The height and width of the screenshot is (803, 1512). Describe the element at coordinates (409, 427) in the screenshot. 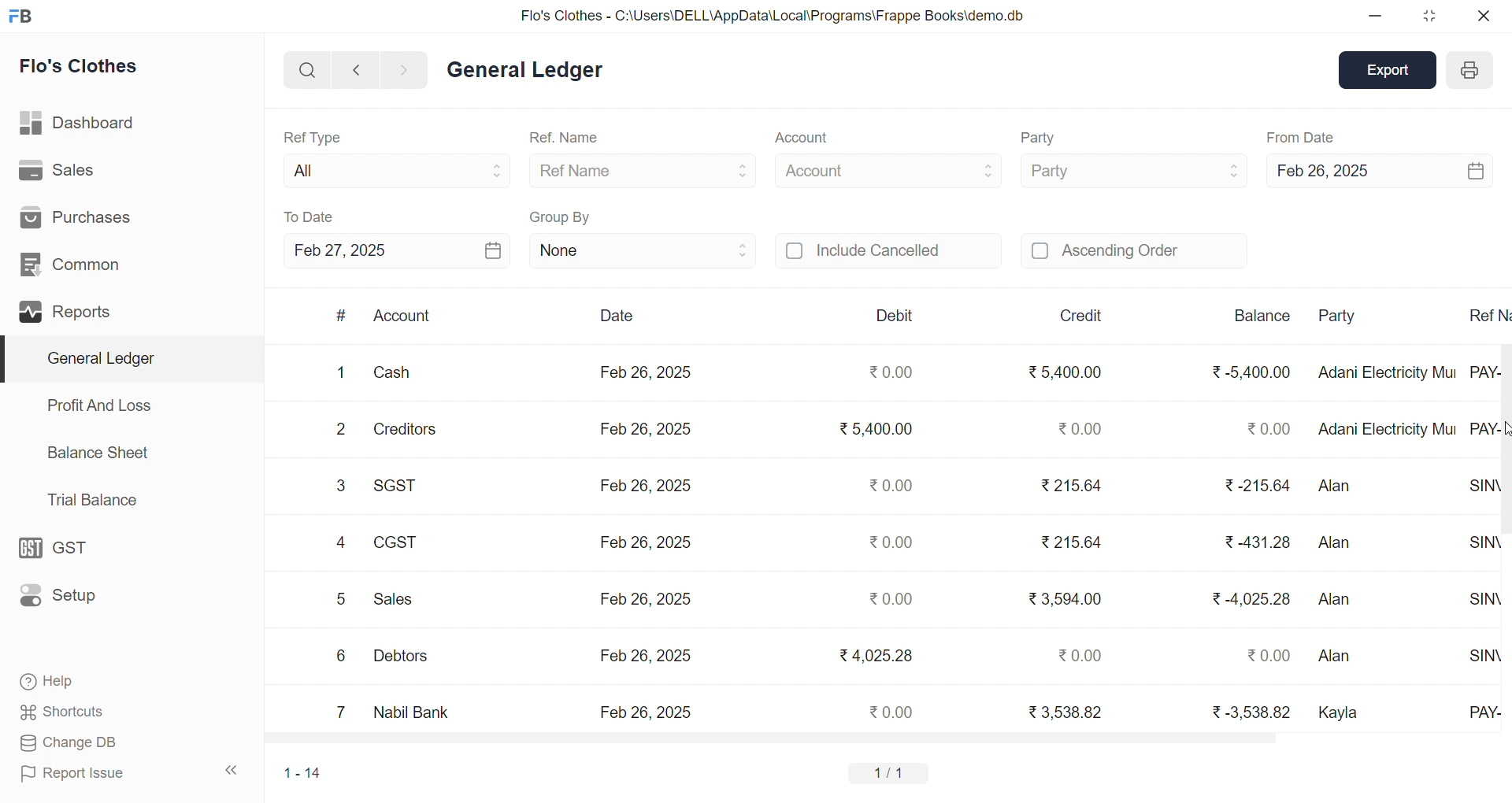

I see `Creditors` at that location.